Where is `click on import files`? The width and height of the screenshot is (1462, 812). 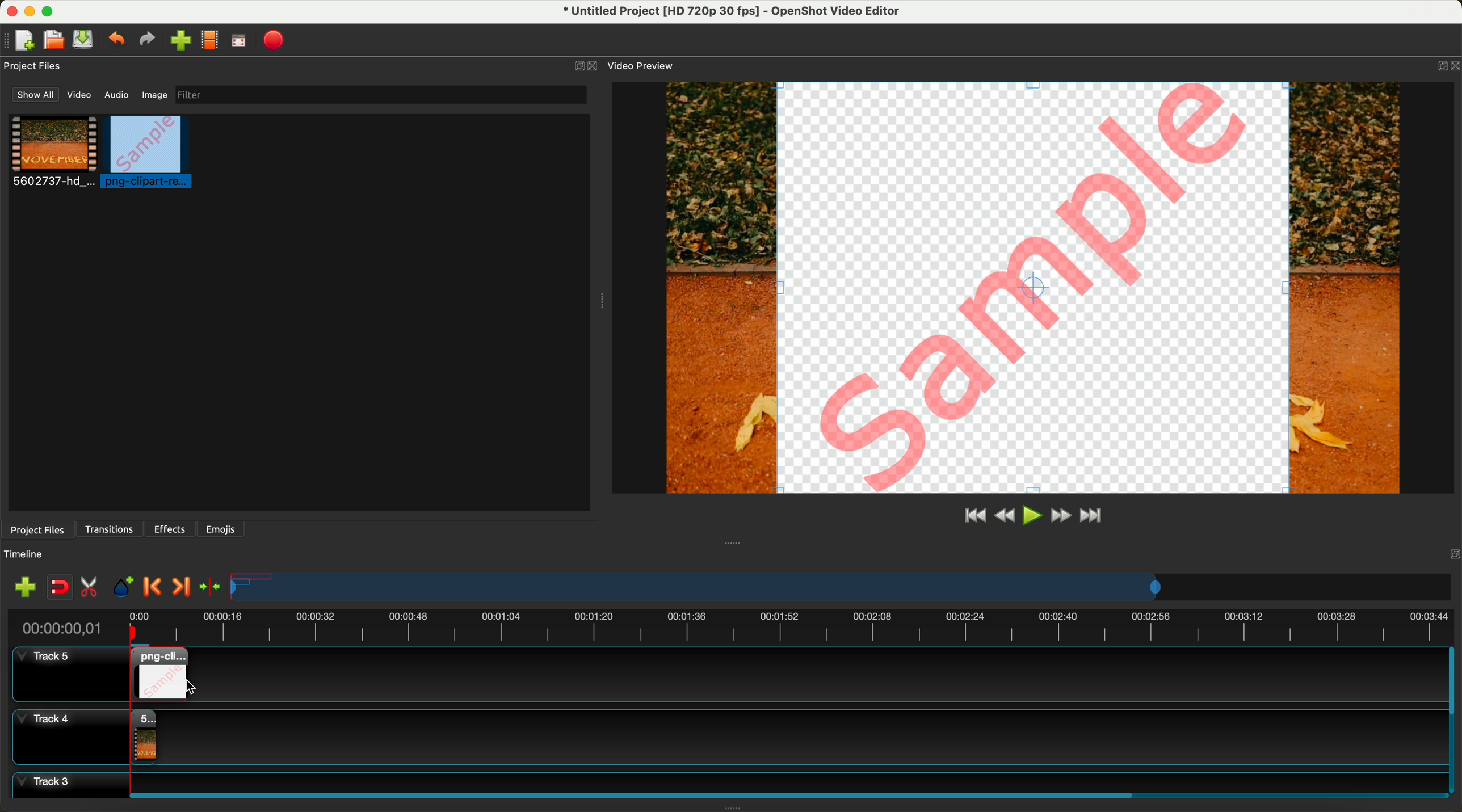
click on import files is located at coordinates (183, 41).